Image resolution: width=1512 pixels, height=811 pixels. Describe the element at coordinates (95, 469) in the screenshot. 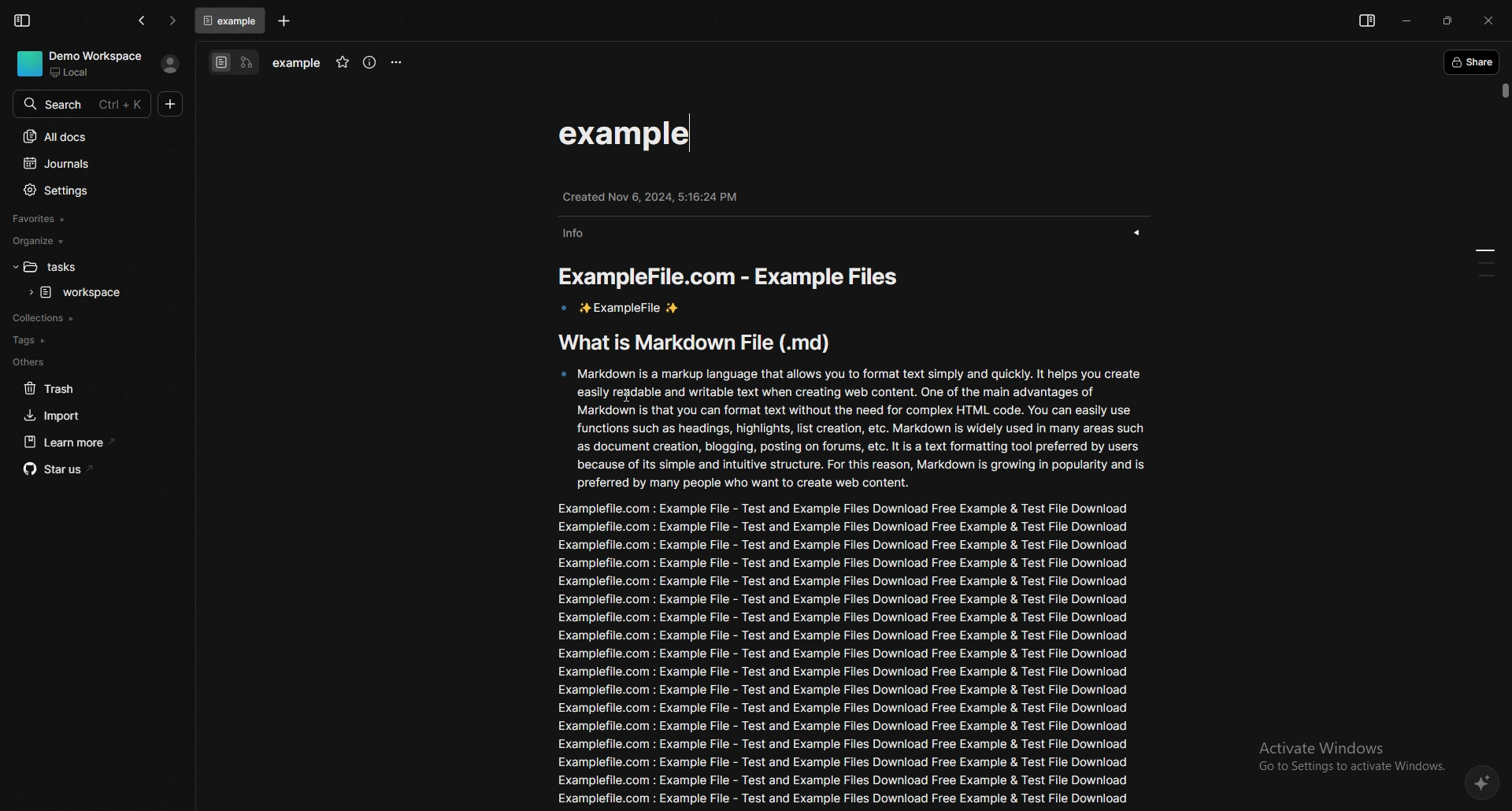

I see `star us` at that location.